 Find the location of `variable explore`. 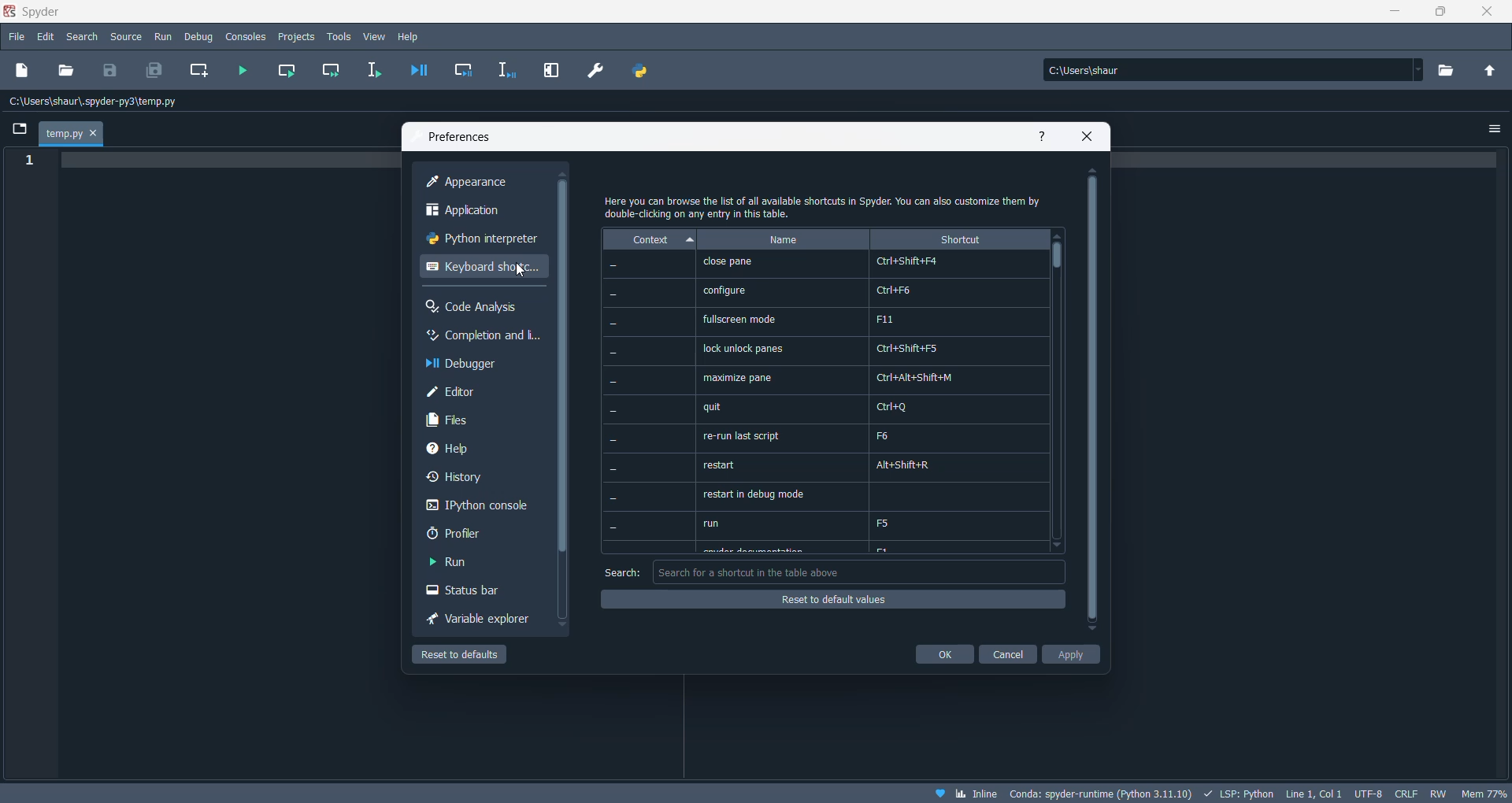

variable explore is located at coordinates (478, 620).